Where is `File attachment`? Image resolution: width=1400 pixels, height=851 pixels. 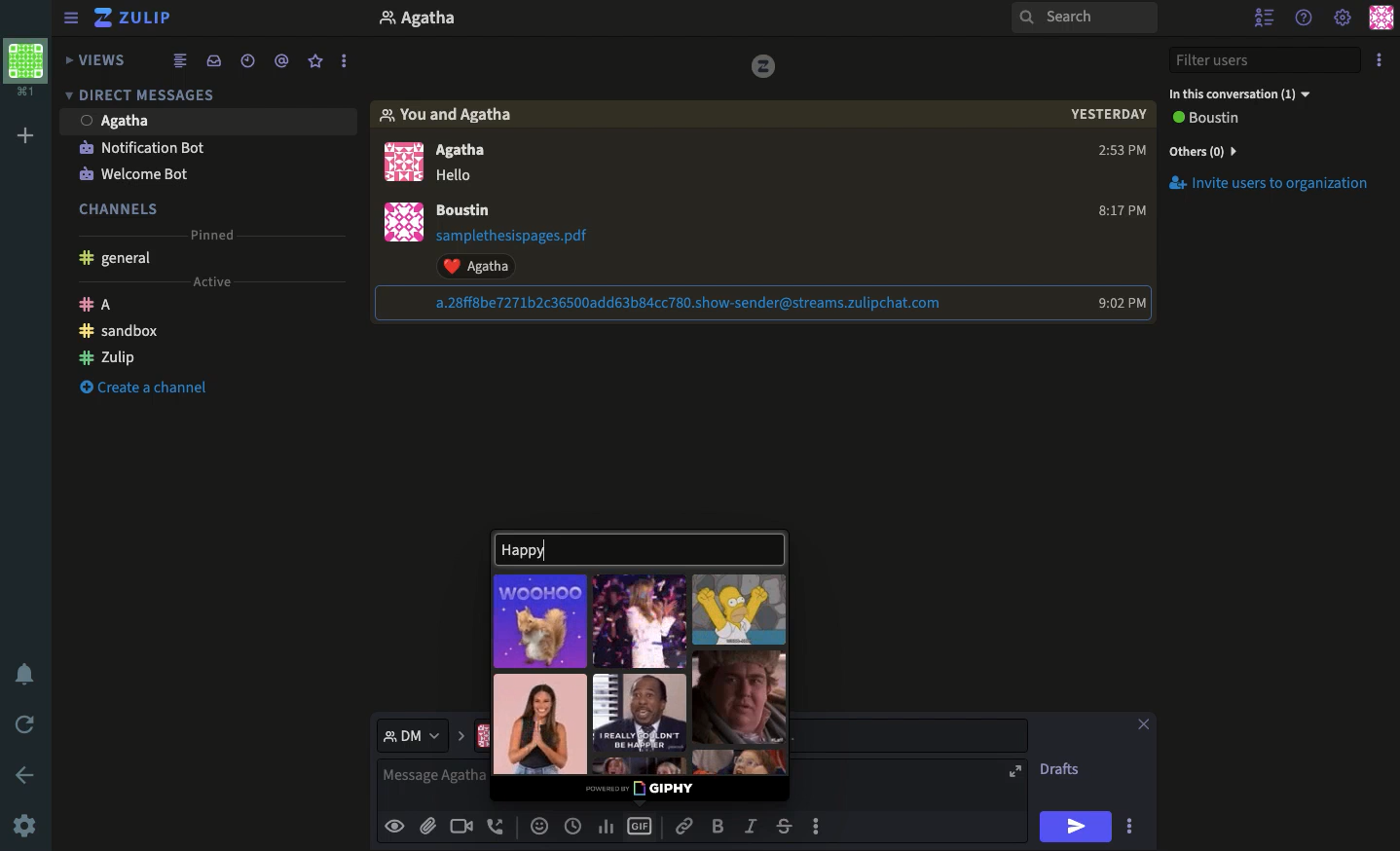
File attachment is located at coordinates (427, 826).